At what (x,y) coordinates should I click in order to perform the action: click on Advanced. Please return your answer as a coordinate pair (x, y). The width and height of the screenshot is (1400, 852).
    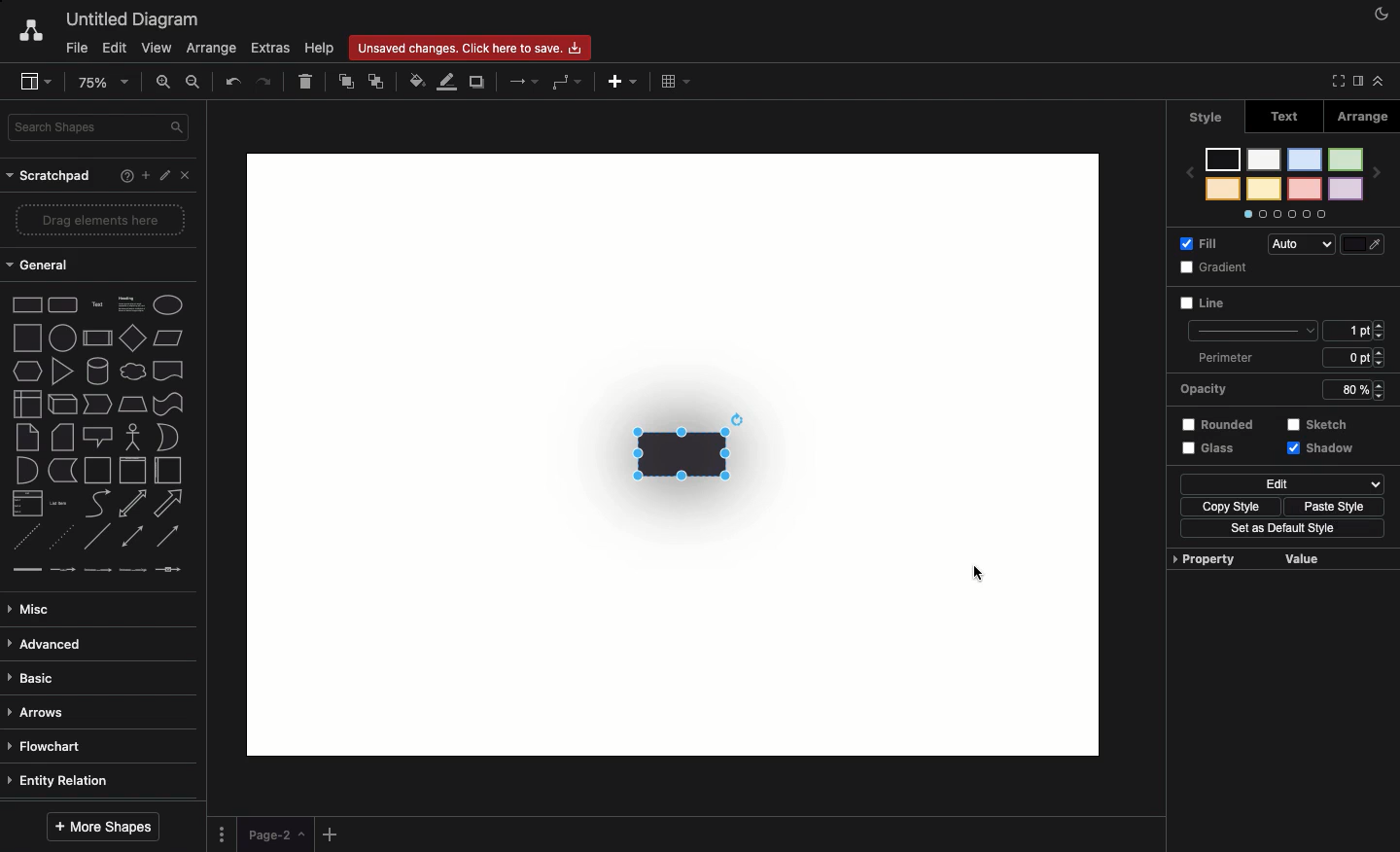
    Looking at the image, I should click on (54, 644).